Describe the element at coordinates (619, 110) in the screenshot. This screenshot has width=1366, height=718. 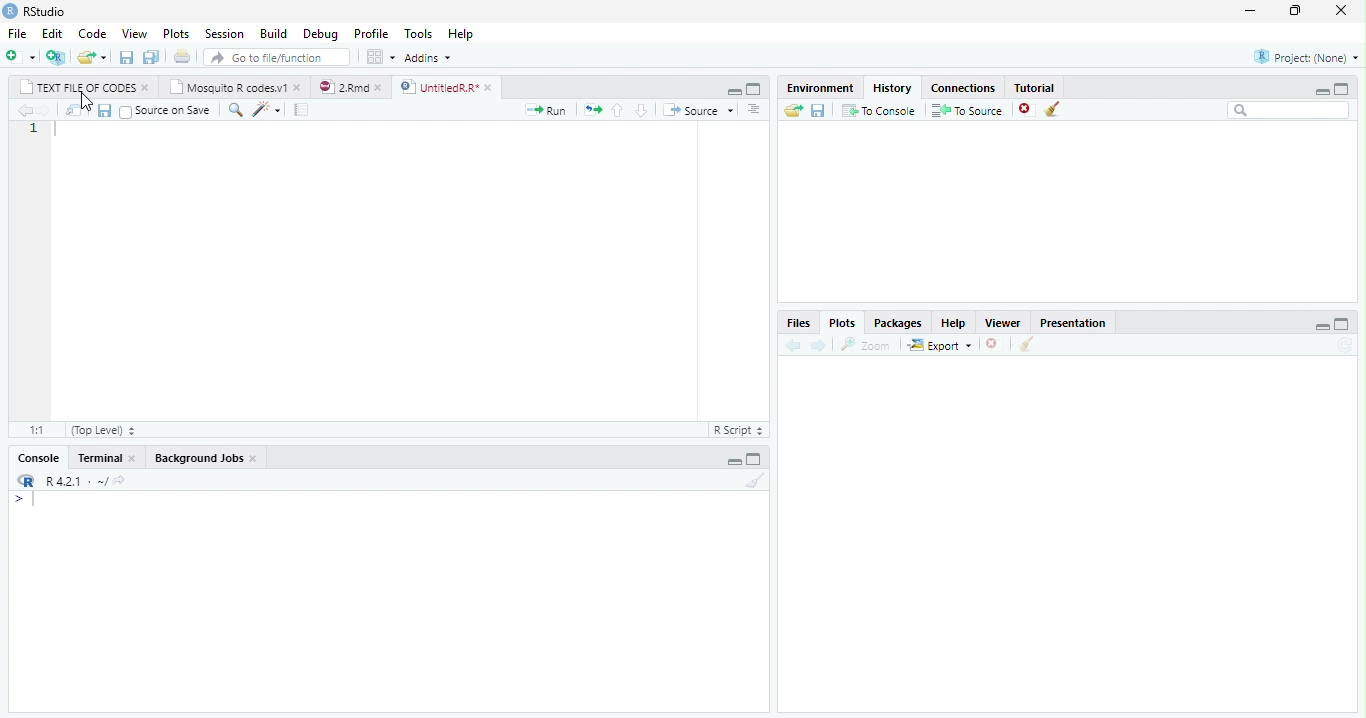
I see `go to previous section` at that location.